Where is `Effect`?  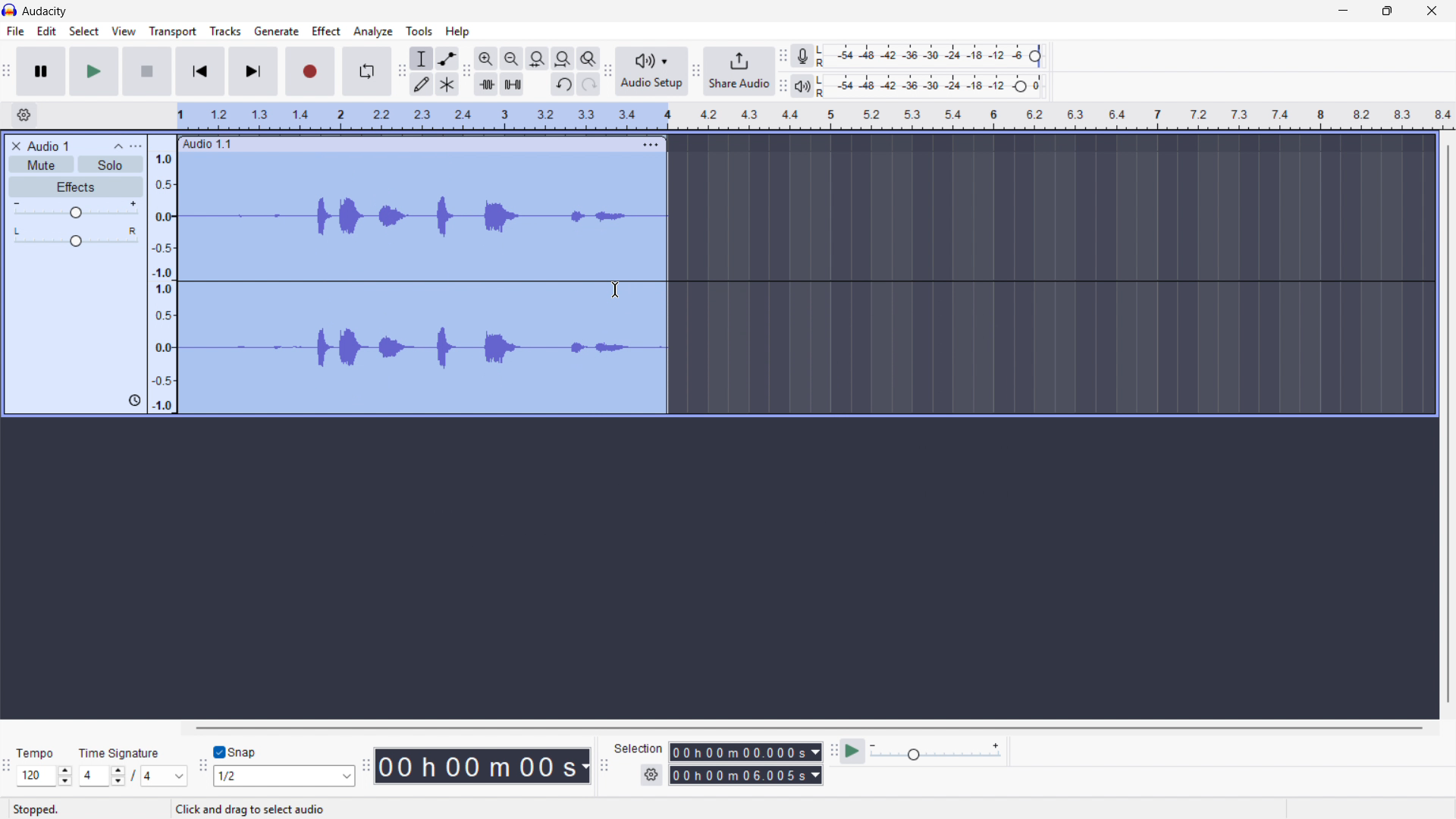 Effect is located at coordinates (327, 32).